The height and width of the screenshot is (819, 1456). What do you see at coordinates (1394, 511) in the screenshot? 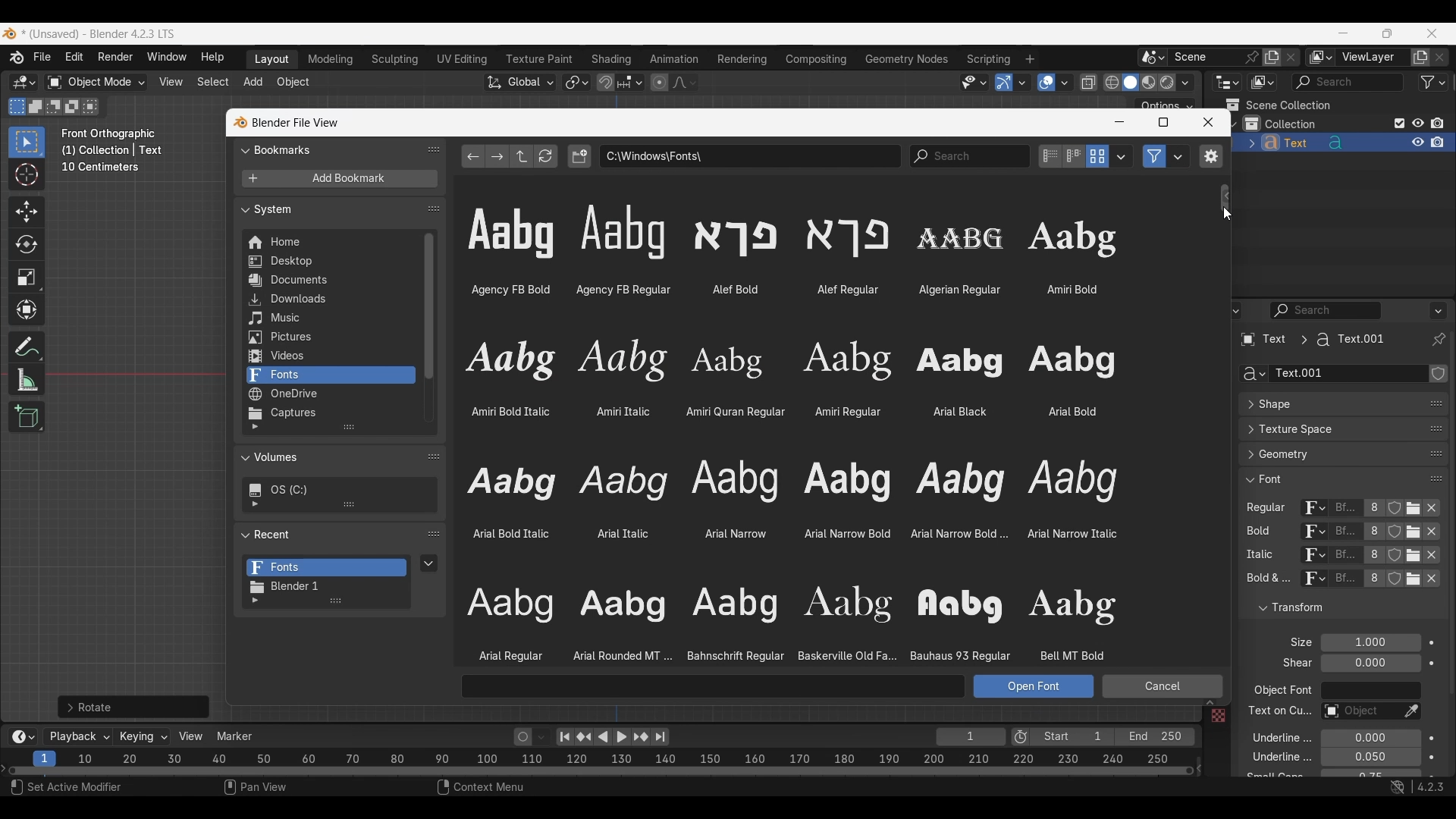
I see `Fake user for respe` at bounding box center [1394, 511].